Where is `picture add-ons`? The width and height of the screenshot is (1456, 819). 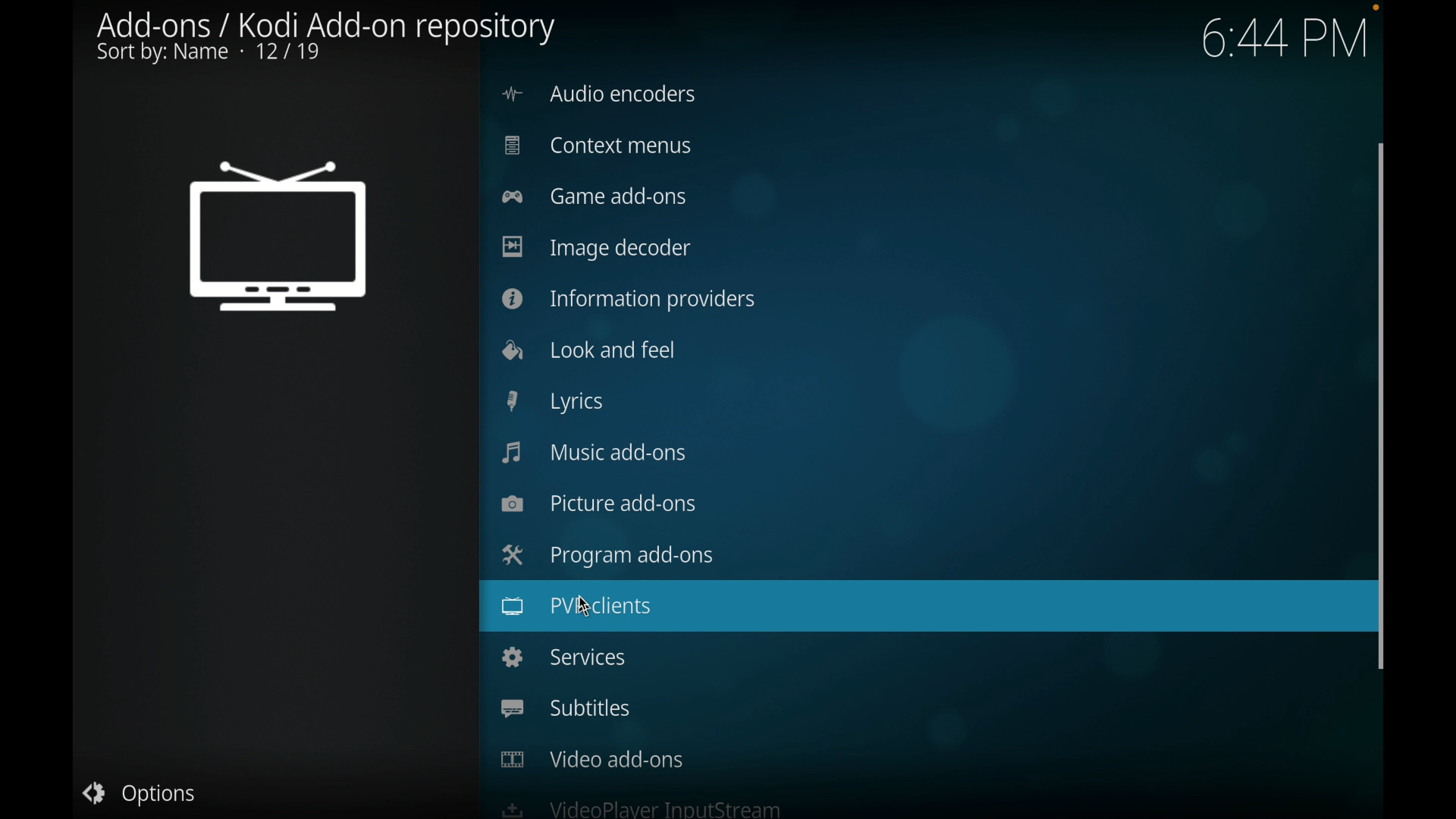
picture add-ons is located at coordinates (599, 503).